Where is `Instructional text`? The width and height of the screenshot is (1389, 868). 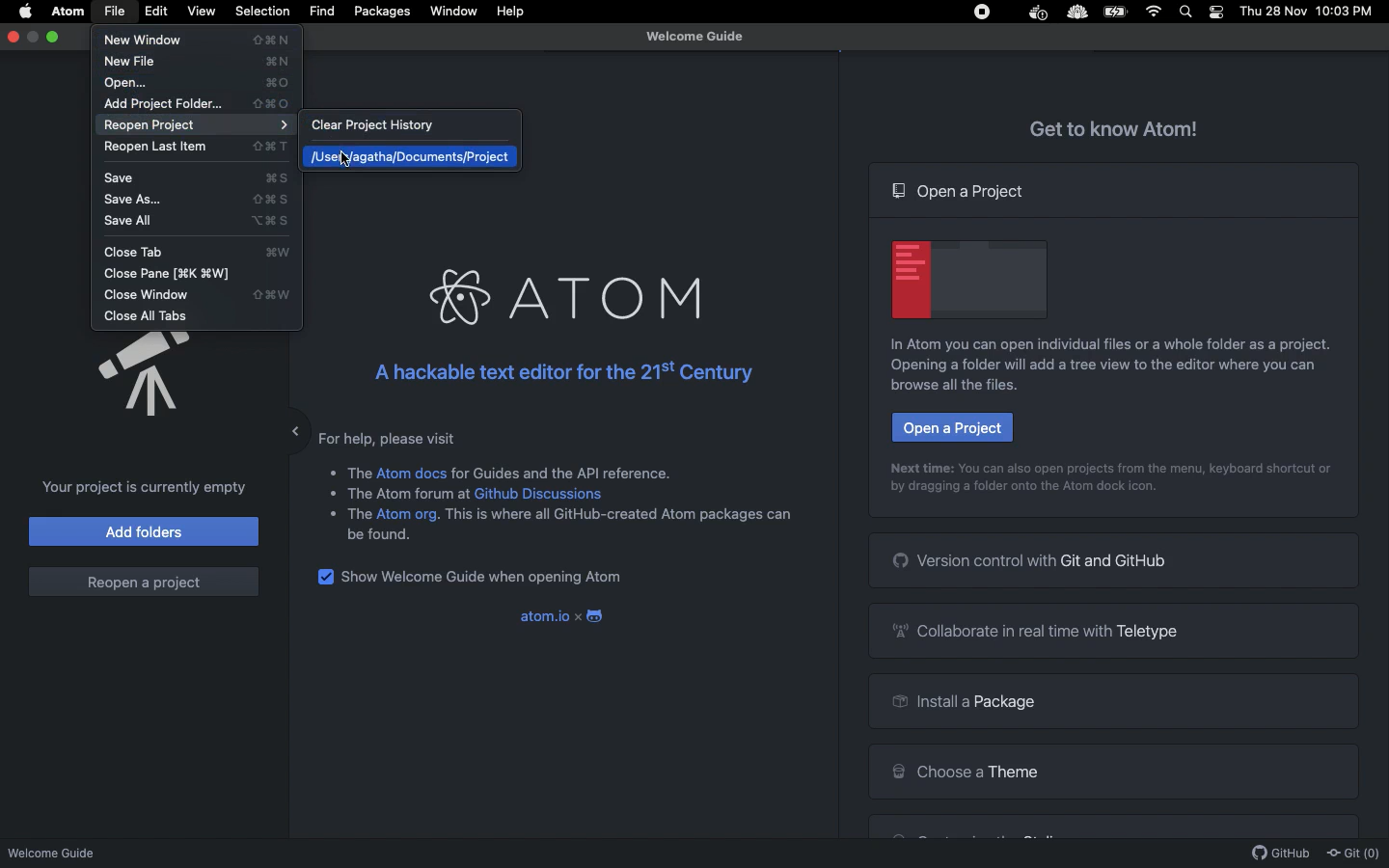 Instructional text is located at coordinates (1114, 467).